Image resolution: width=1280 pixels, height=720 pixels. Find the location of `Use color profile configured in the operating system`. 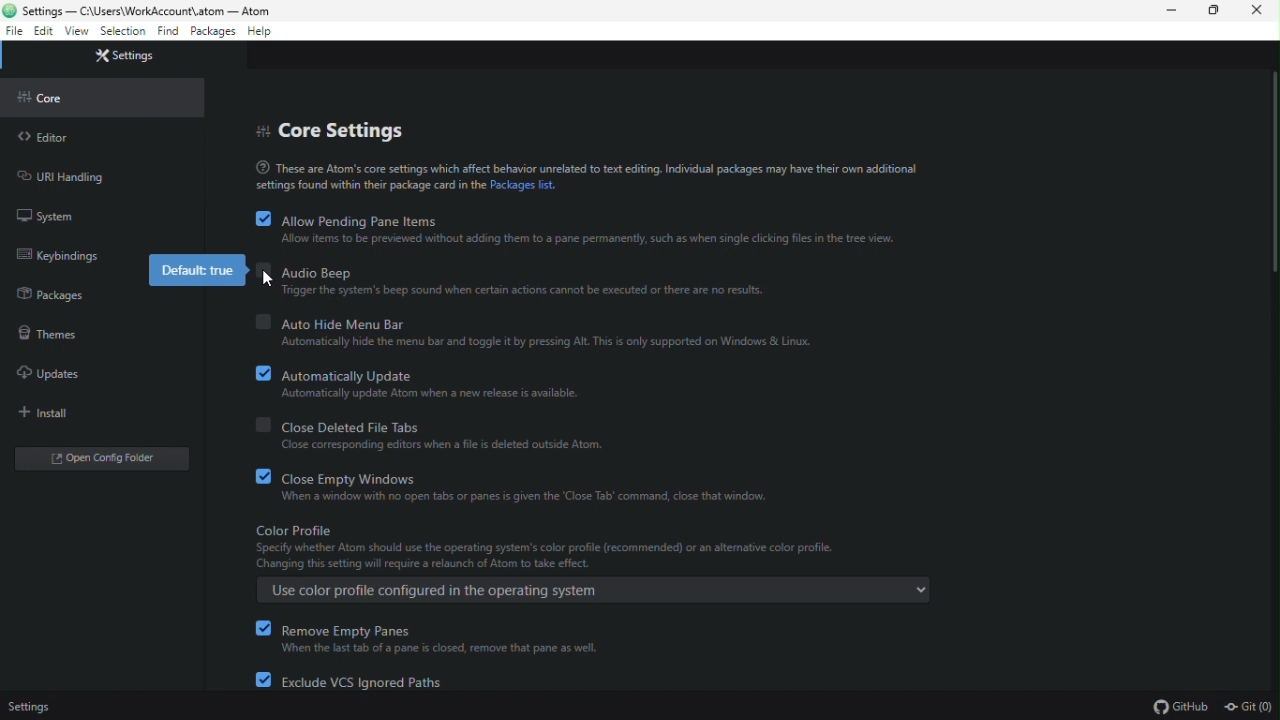

Use color profile configured in the operating system is located at coordinates (592, 592).